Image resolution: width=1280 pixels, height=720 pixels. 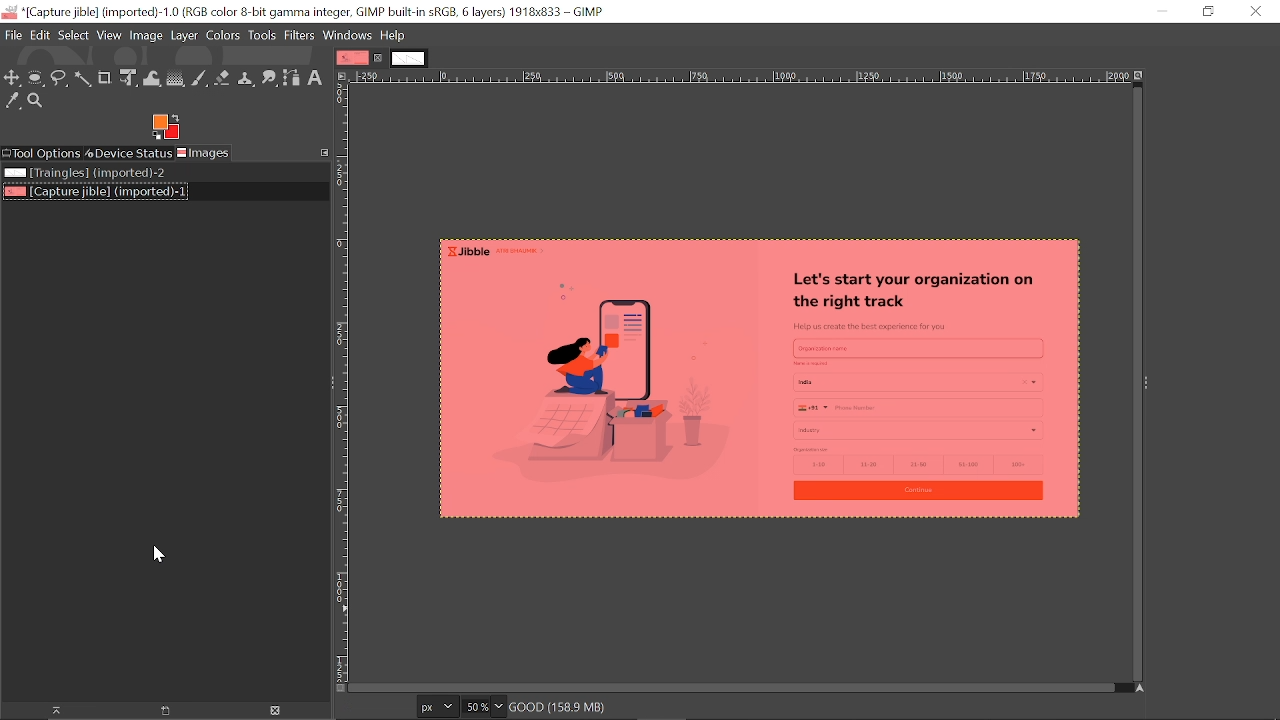 I want to click on Smudge tool, so click(x=270, y=77).